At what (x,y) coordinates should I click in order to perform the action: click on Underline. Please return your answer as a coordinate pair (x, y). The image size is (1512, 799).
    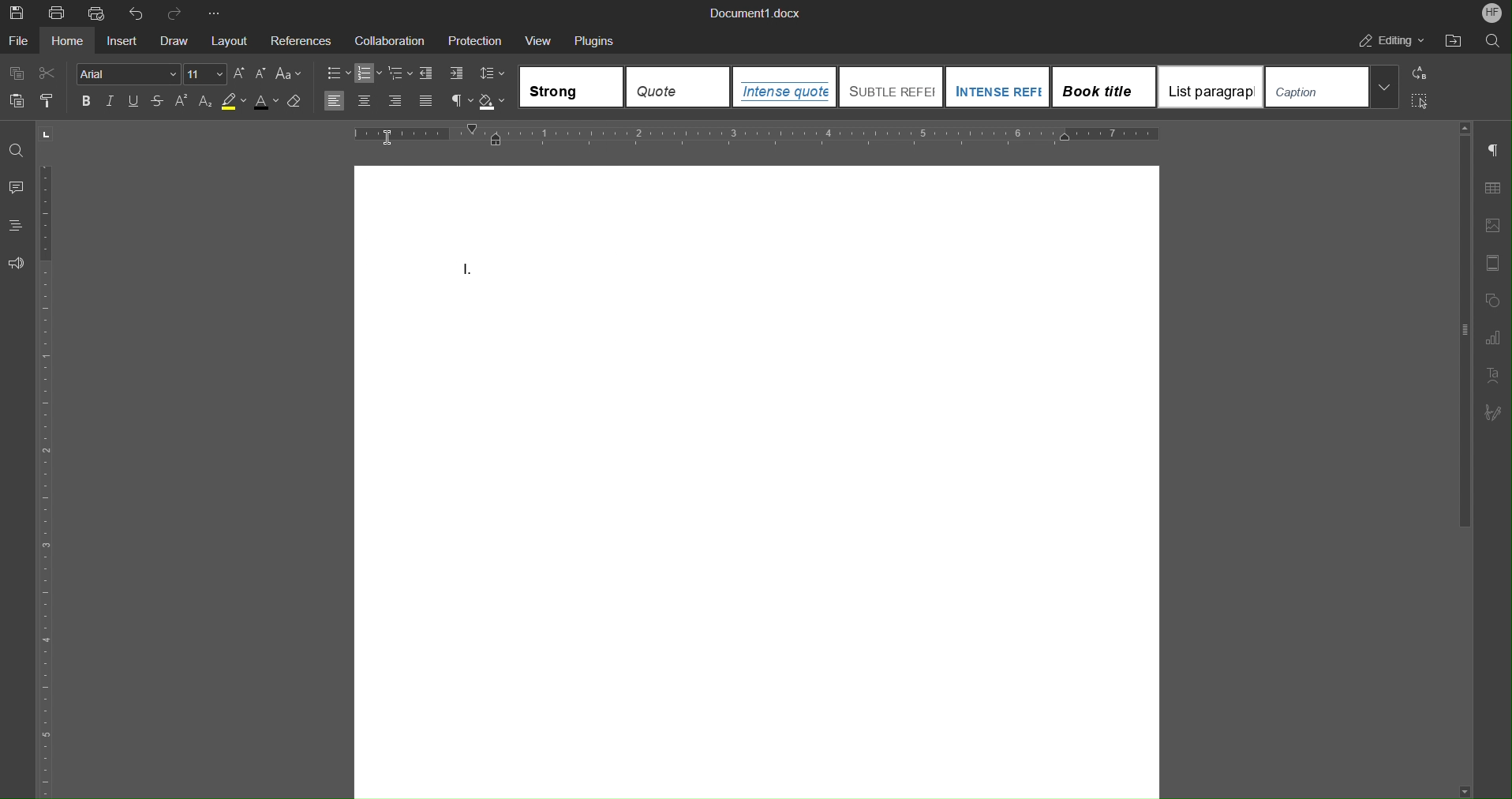
    Looking at the image, I should click on (133, 102).